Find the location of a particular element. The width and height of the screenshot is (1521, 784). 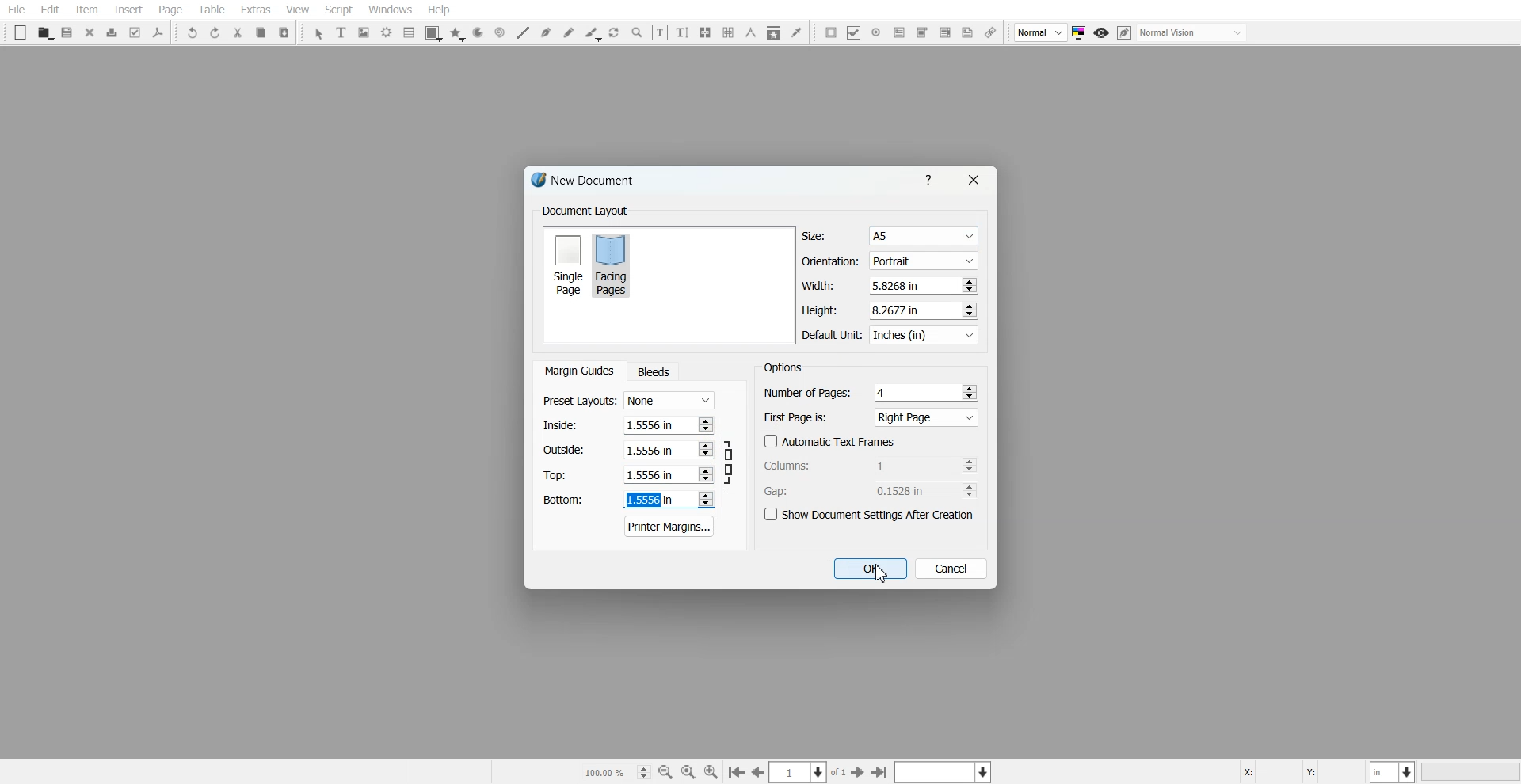

Save is located at coordinates (68, 32).